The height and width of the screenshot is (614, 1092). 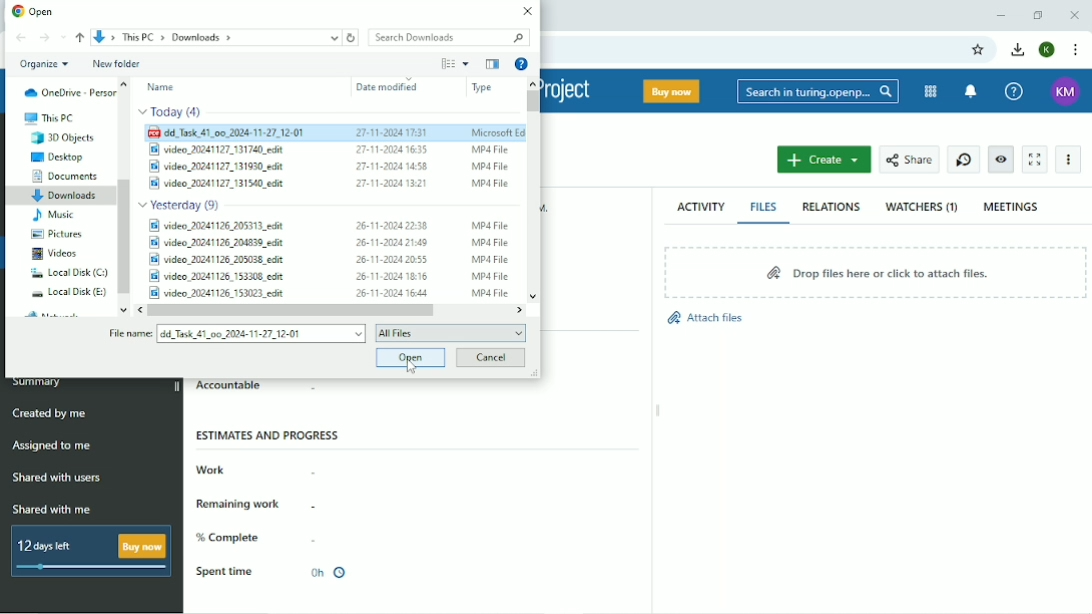 I want to click on scroll down, so click(x=534, y=290).